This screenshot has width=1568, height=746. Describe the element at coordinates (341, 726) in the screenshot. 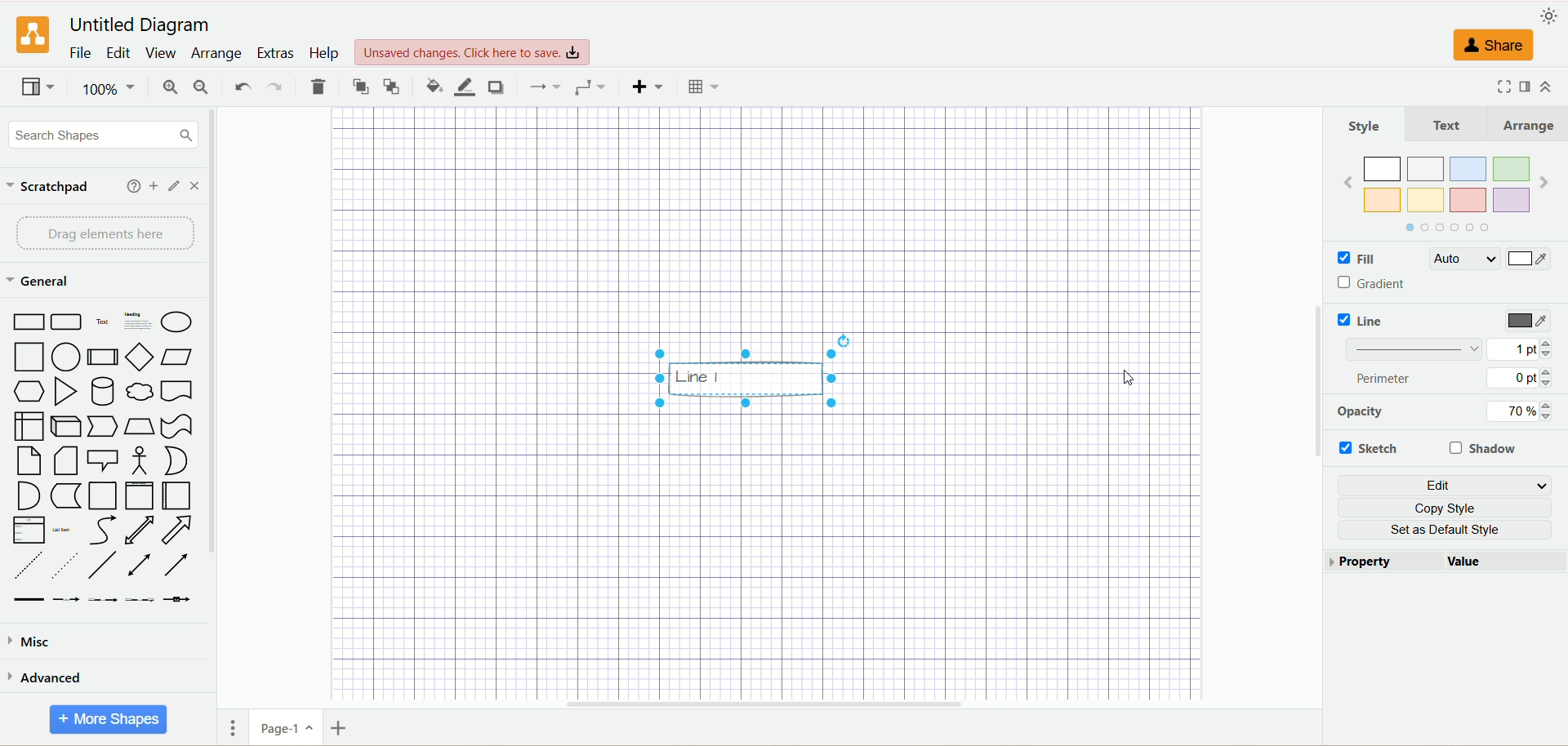

I see `insert page` at that location.